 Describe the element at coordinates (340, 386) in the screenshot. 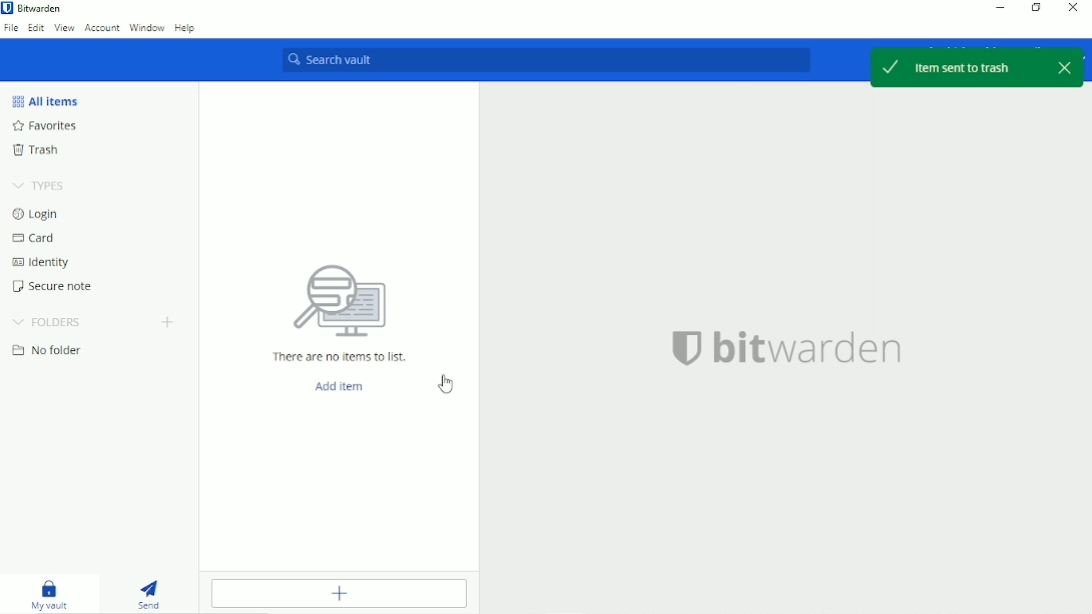

I see `Add item` at that location.